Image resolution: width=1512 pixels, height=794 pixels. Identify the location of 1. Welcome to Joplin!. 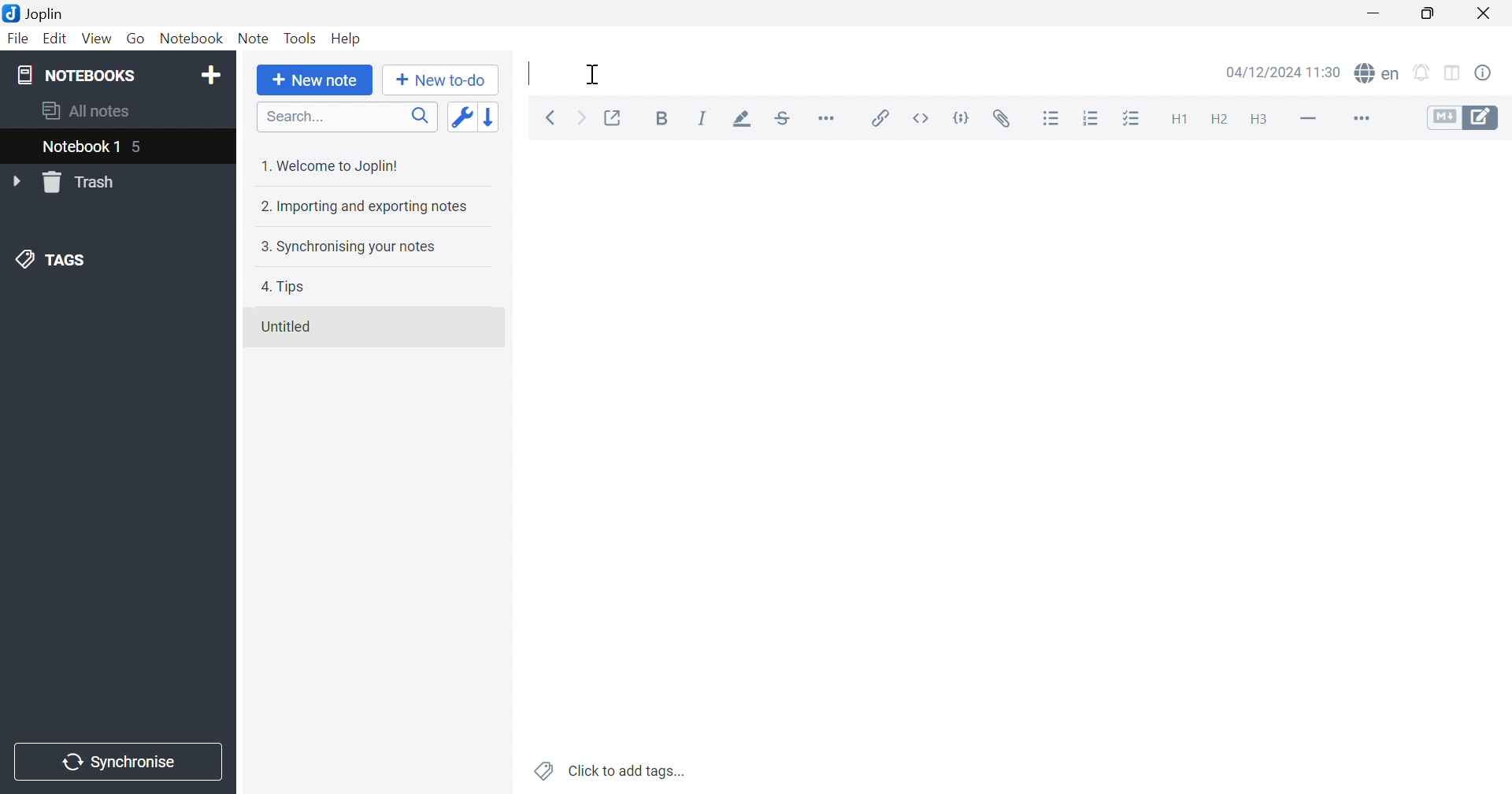
(335, 165).